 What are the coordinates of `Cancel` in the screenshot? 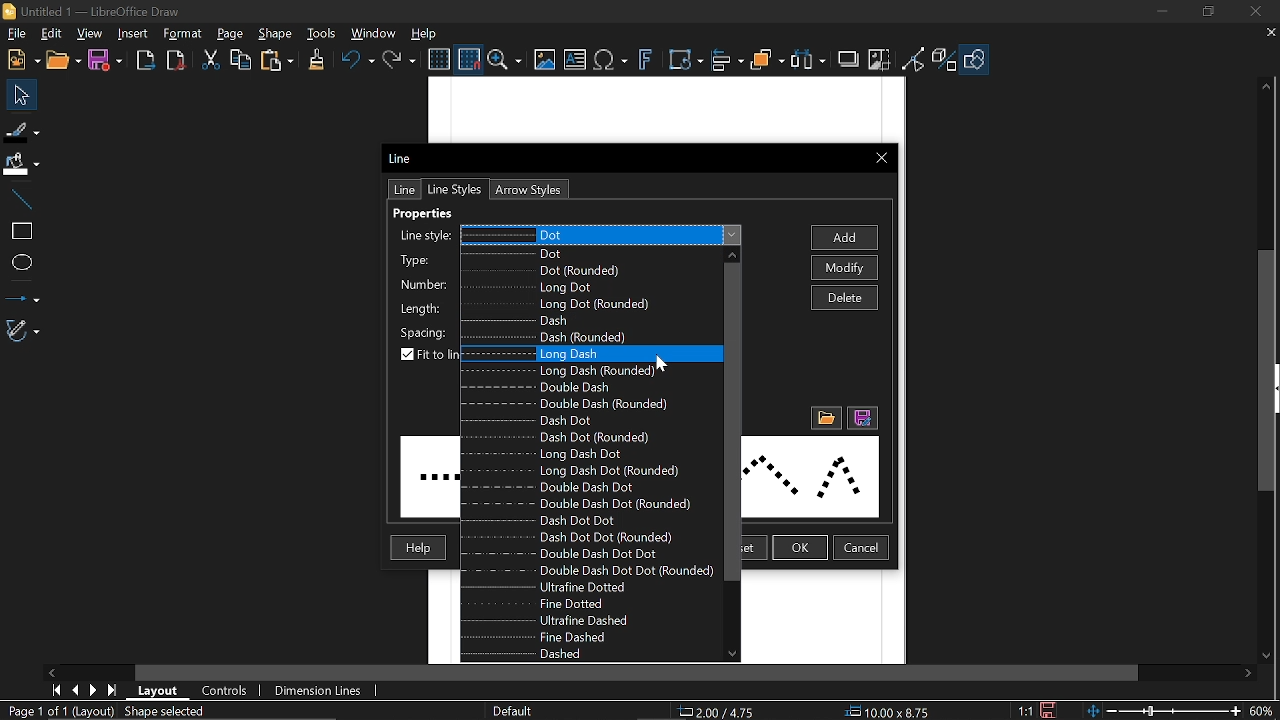 It's located at (863, 548).